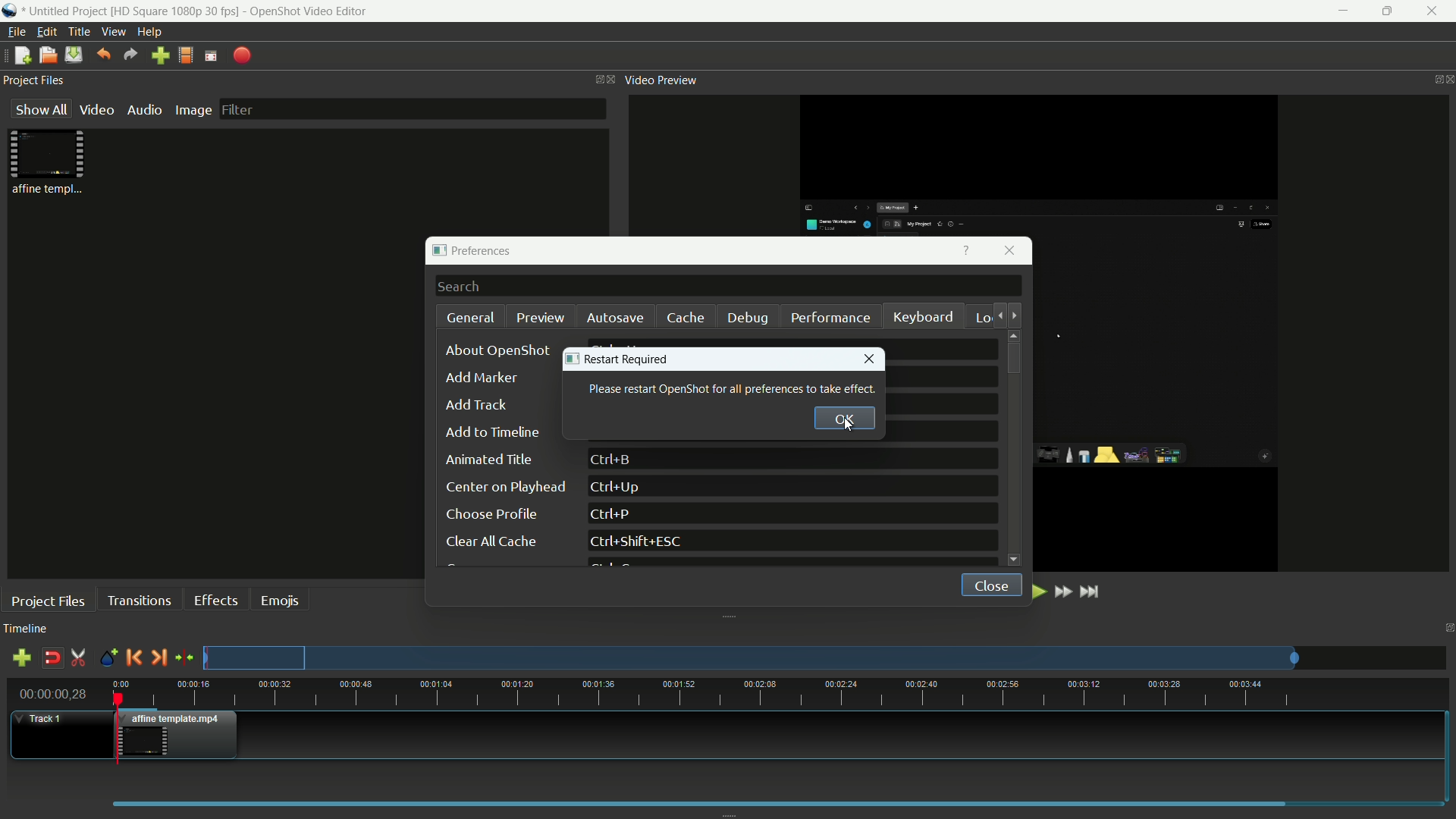 This screenshot has height=819, width=1456. I want to click on close window, so click(1011, 253).